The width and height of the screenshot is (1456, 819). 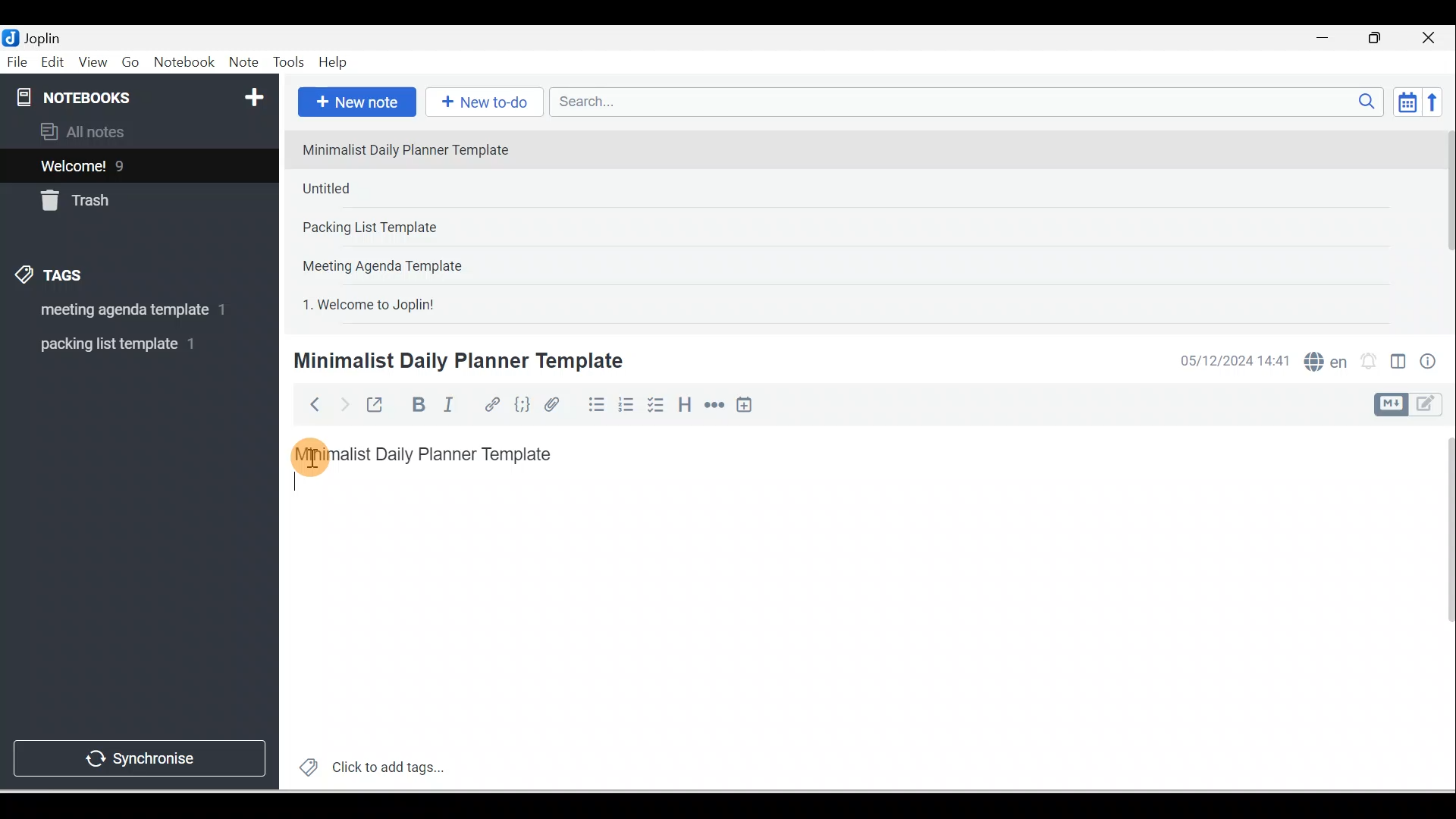 I want to click on Minimalist Daily Planner Template, so click(x=458, y=362).